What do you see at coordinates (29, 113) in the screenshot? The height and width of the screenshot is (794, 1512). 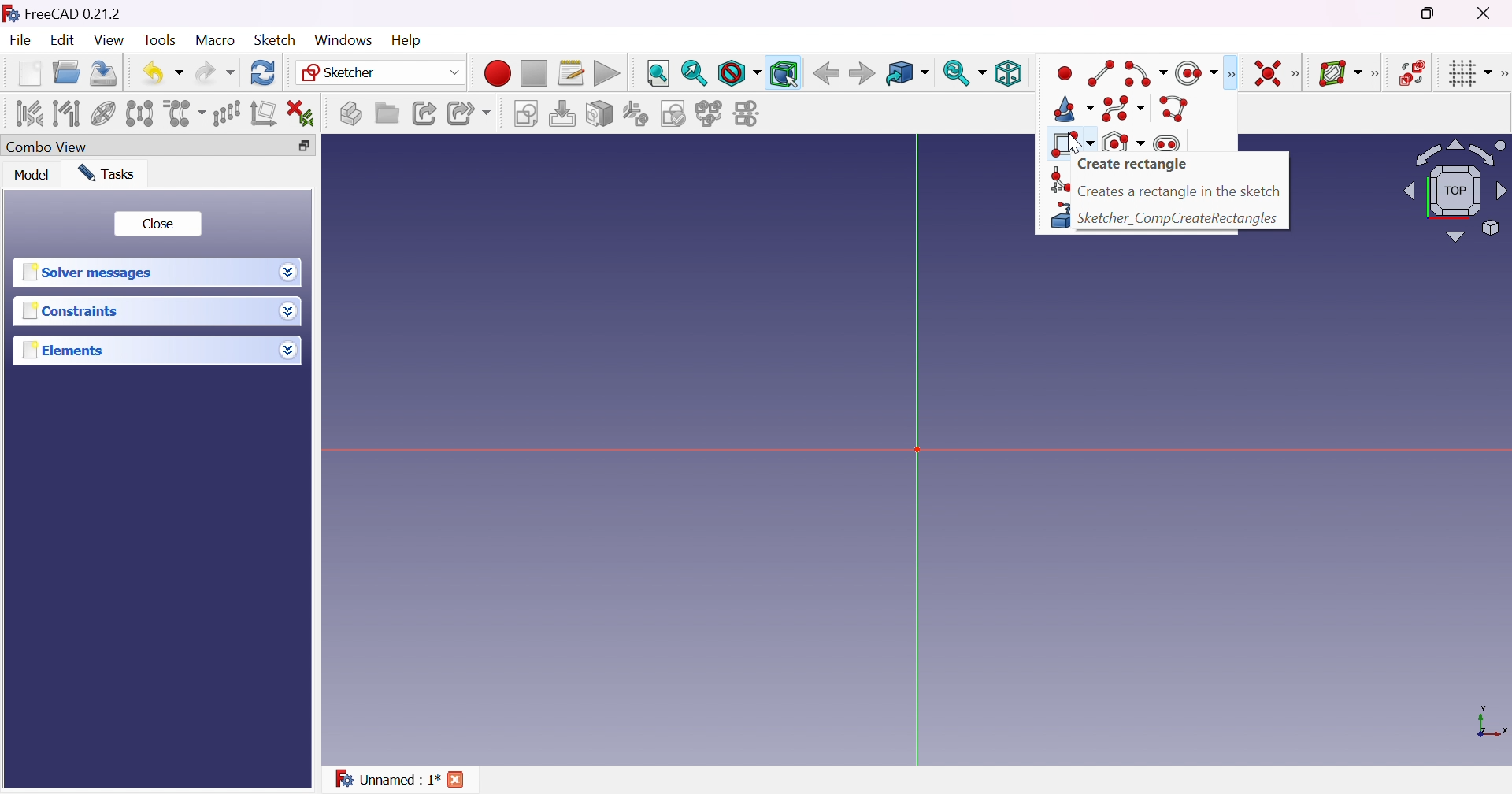 I see `Select associated constraints` at bounding box center [29, 113].